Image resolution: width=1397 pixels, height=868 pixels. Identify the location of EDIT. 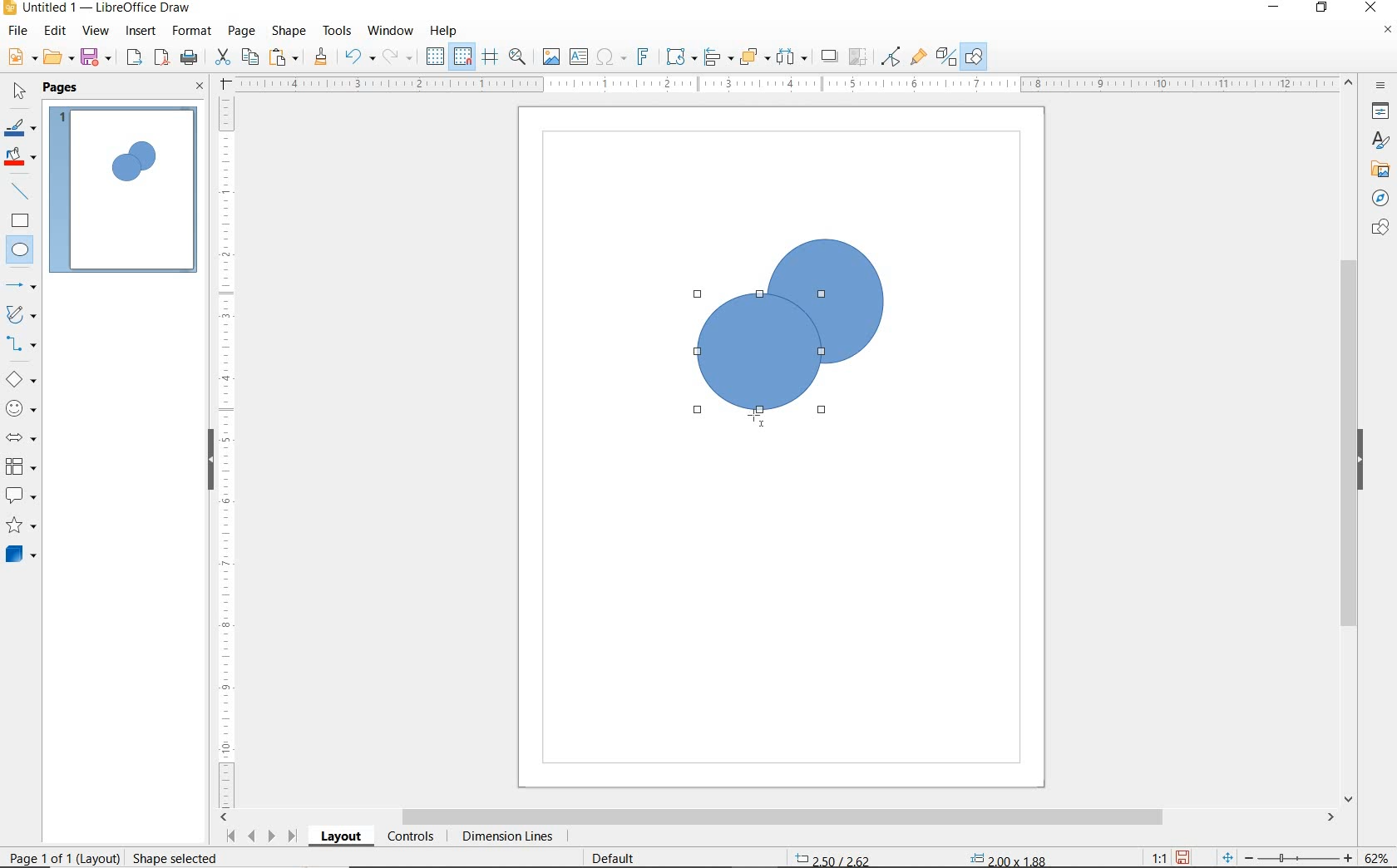
(56, 31).